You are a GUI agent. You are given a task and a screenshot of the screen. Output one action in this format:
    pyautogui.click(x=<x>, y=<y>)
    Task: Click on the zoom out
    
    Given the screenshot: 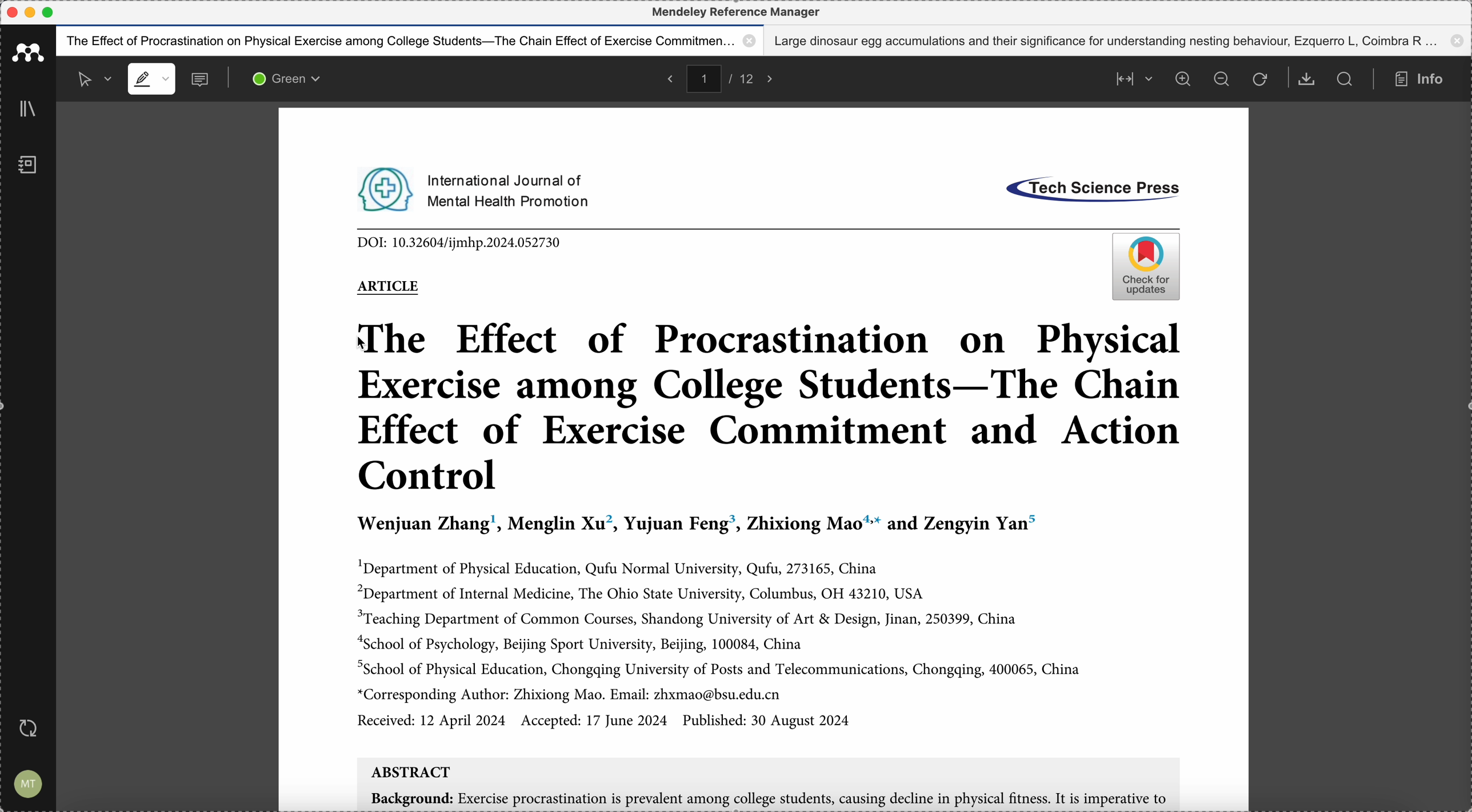 What is the action you would take?
    pyautogui.click(x=1223, y=80)
    